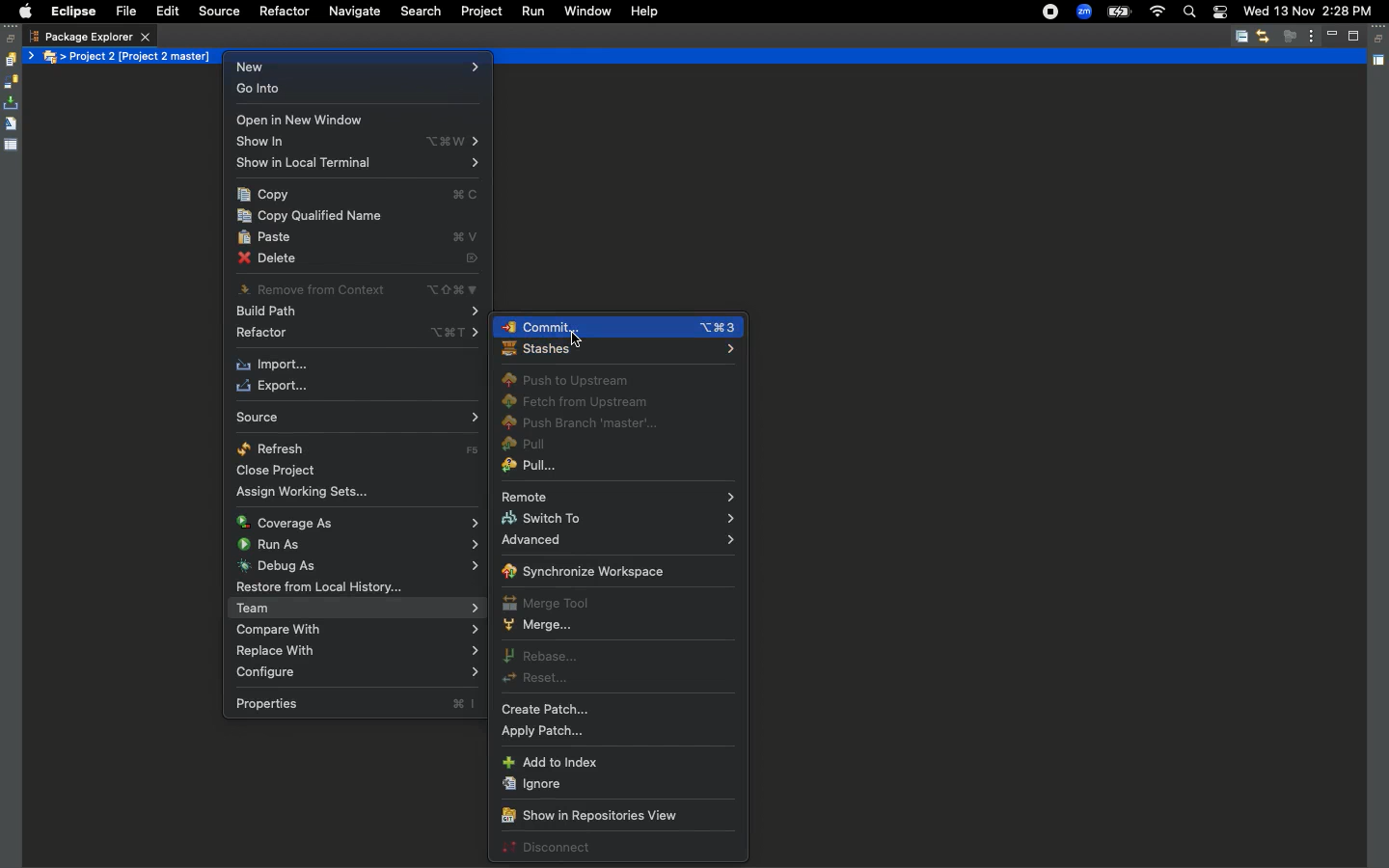  I want to click on Configure, so click(360, 674).